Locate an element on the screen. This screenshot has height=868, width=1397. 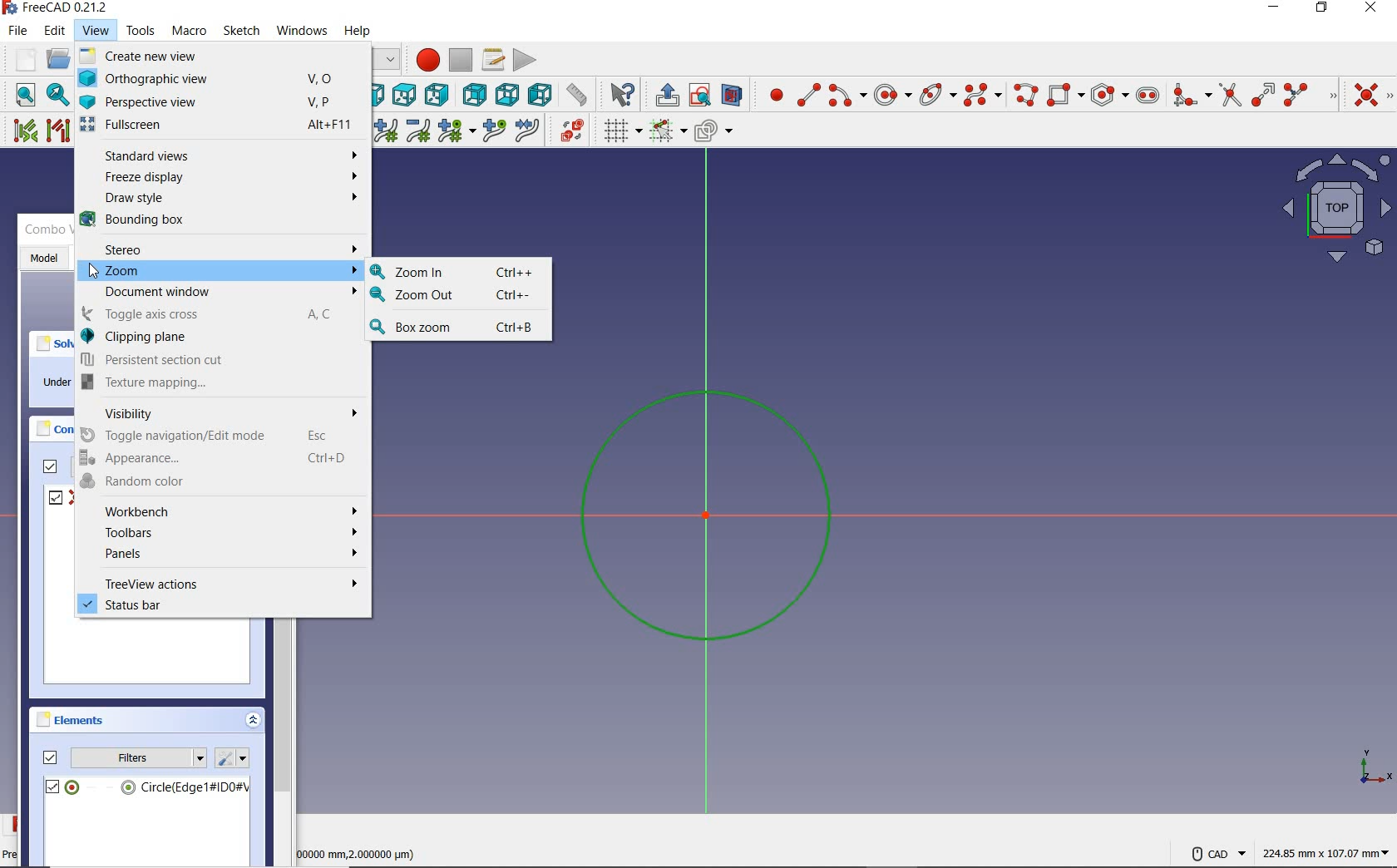
Appearance is located at coordinates (224, 457).